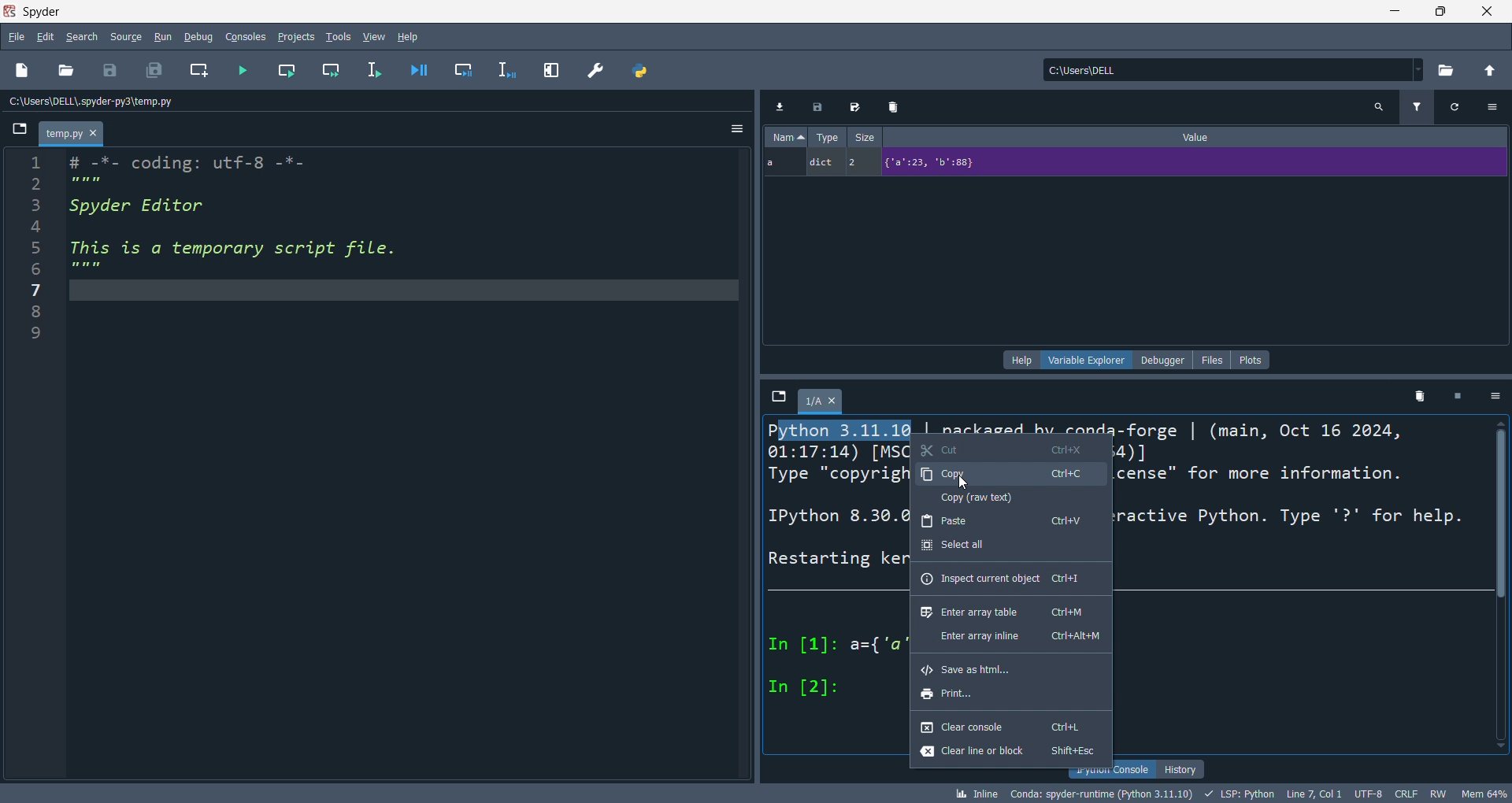 The height and width of the screenshot is (803, 1512). Describe the element at coordinates (826, 136) in the screenshot. I see `type` at that location.